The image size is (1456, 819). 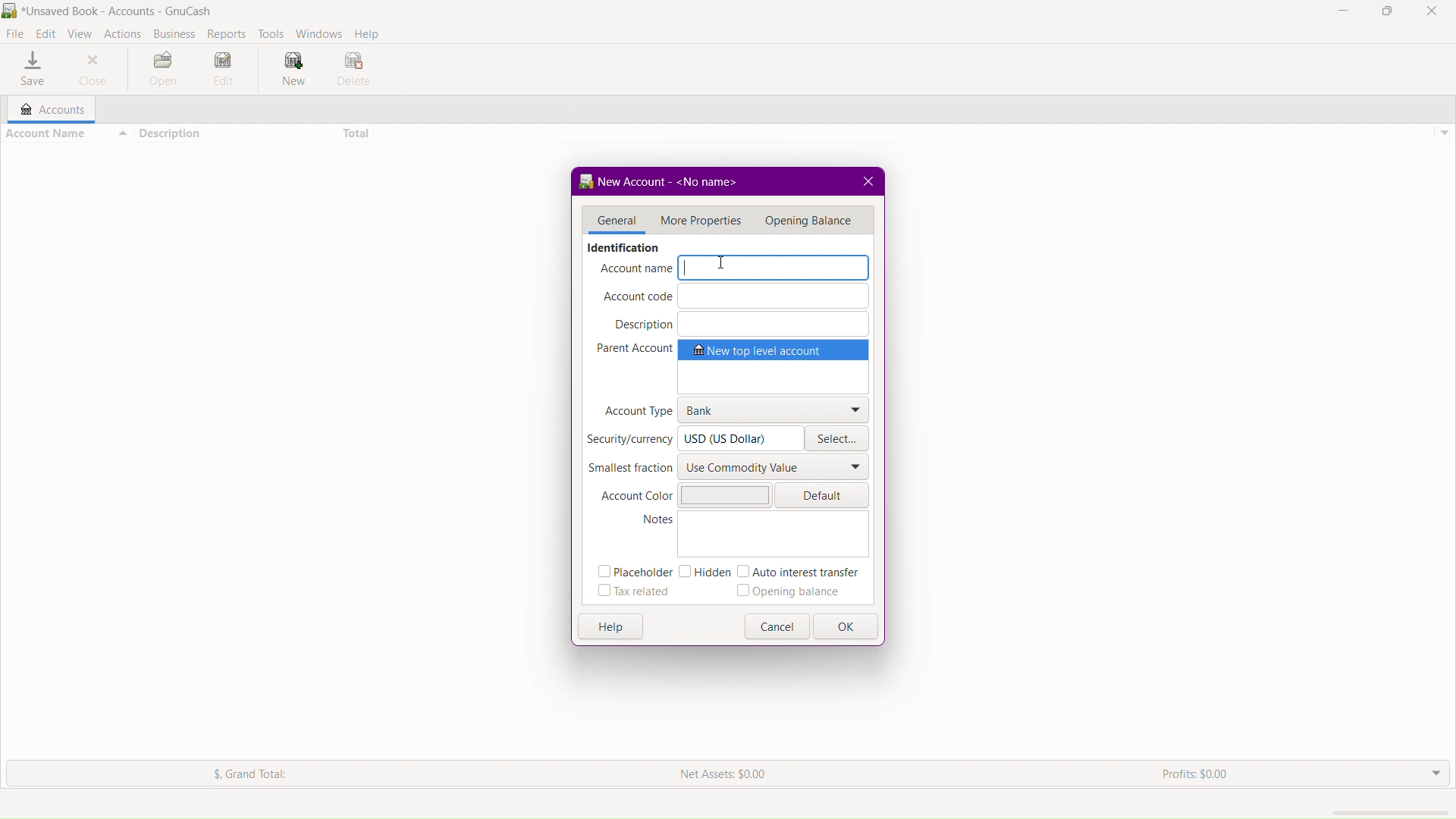 What do you see at coordinates (32, 67) in the screenshot?
I see `Save` at bounding box center [32, 67].